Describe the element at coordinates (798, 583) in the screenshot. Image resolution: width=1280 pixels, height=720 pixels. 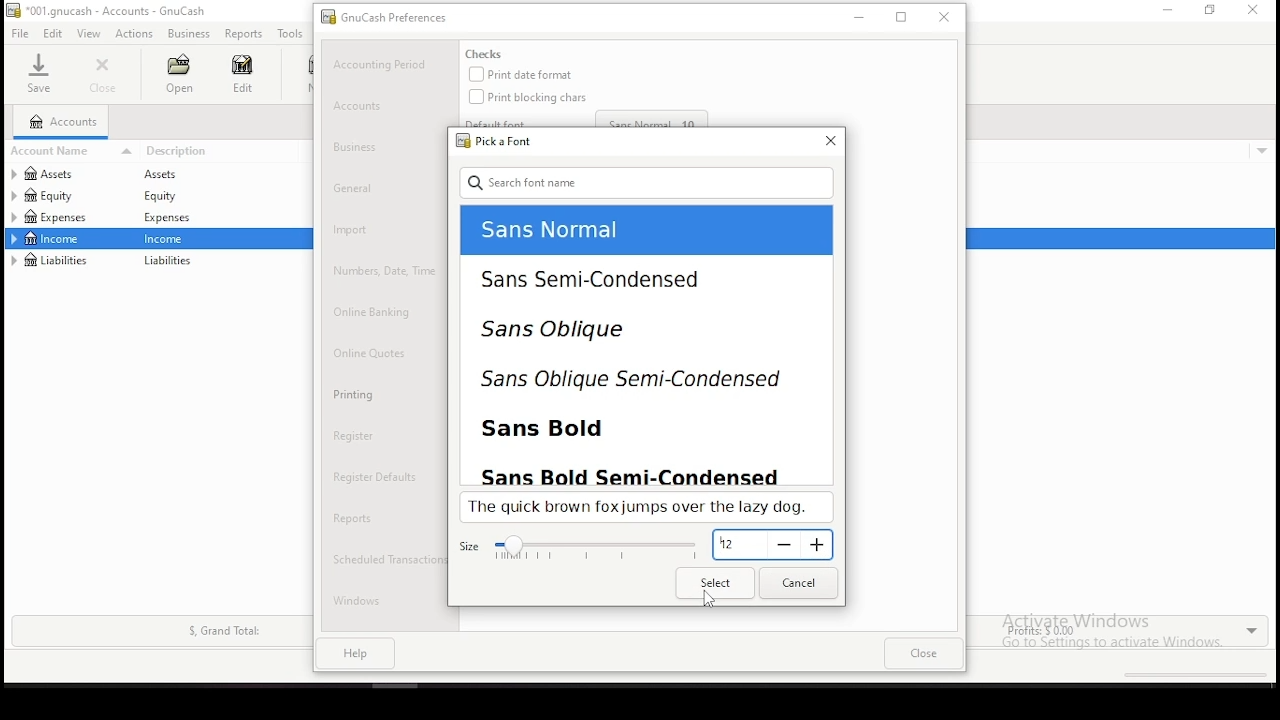
I see `cancel` at that location.